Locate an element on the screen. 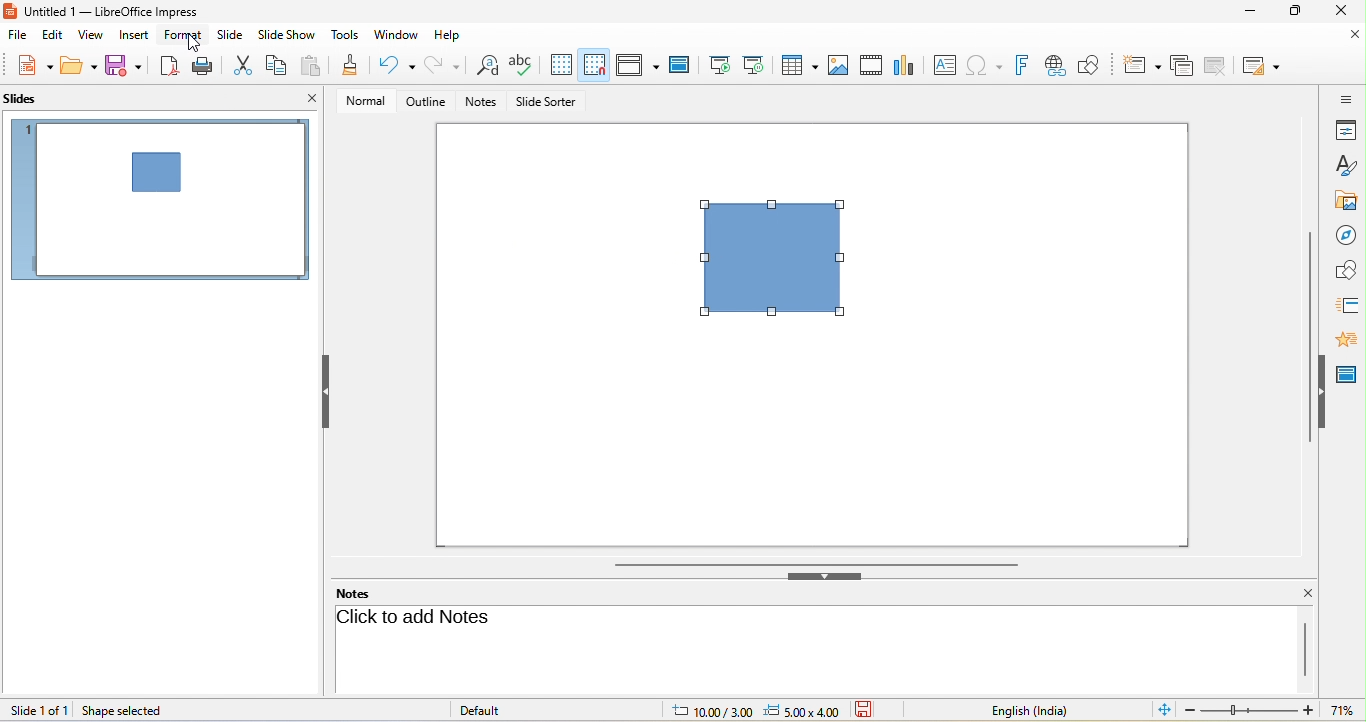 The width and height of the screenshot is (1366, 722). shape selected is located at coordinates (124, 711).